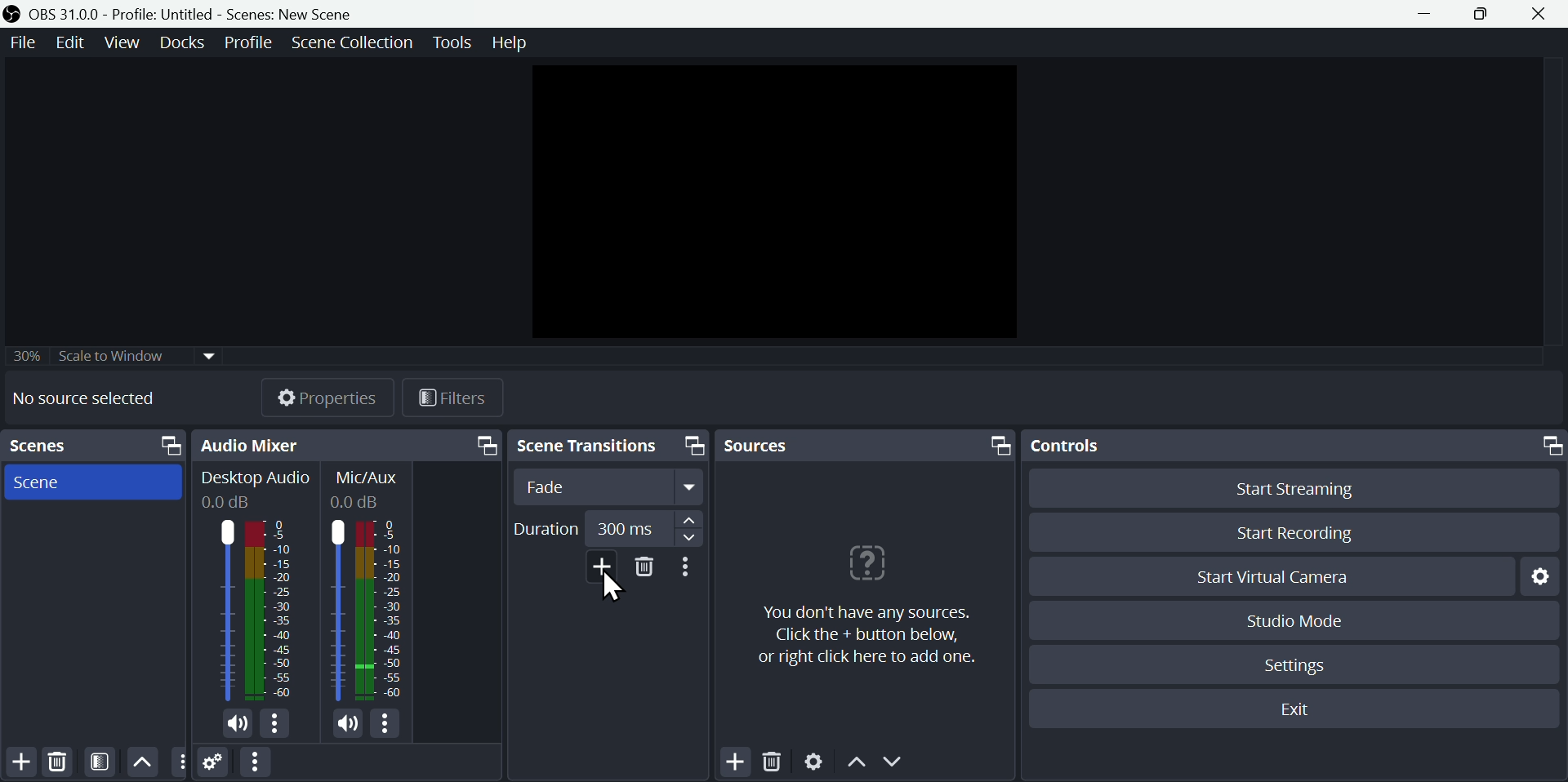 This screenshot has width=1568, height=782. I want to click on volume, so click(351, 726).